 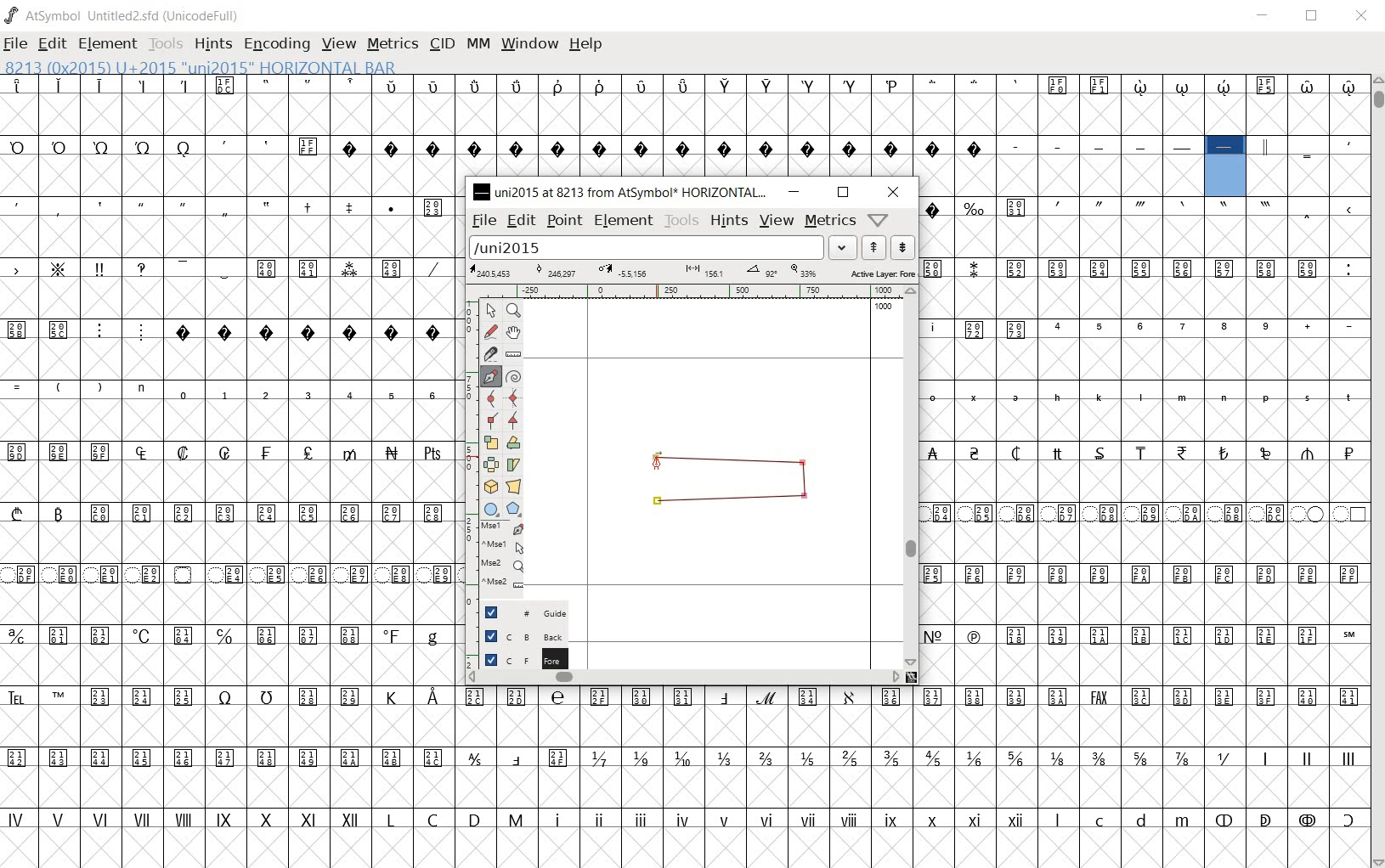 I want to click on glyph characters, so click(x=928, y=105).